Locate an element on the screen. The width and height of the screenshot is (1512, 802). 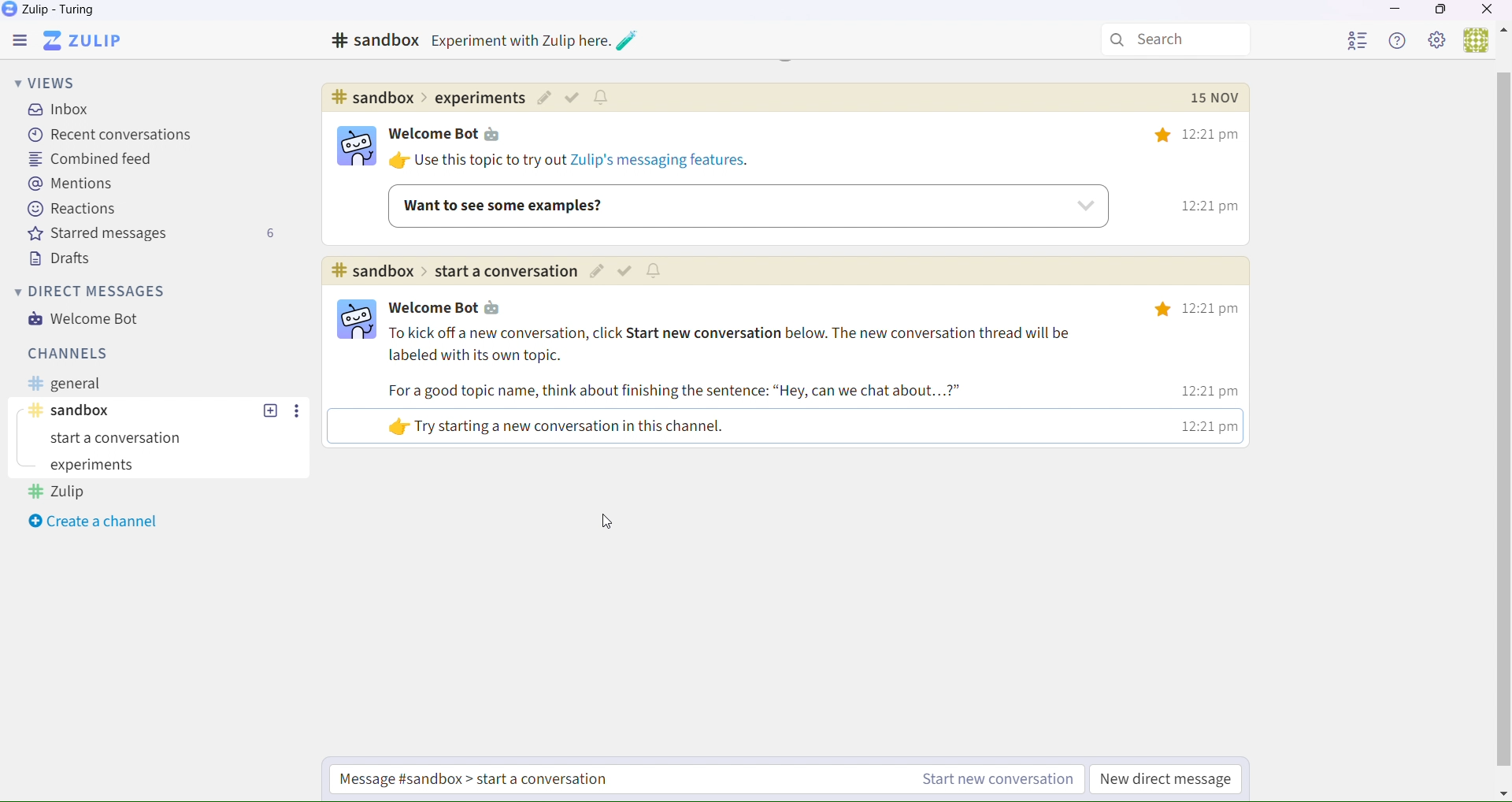
User List is located at coordinates (1359, 41).